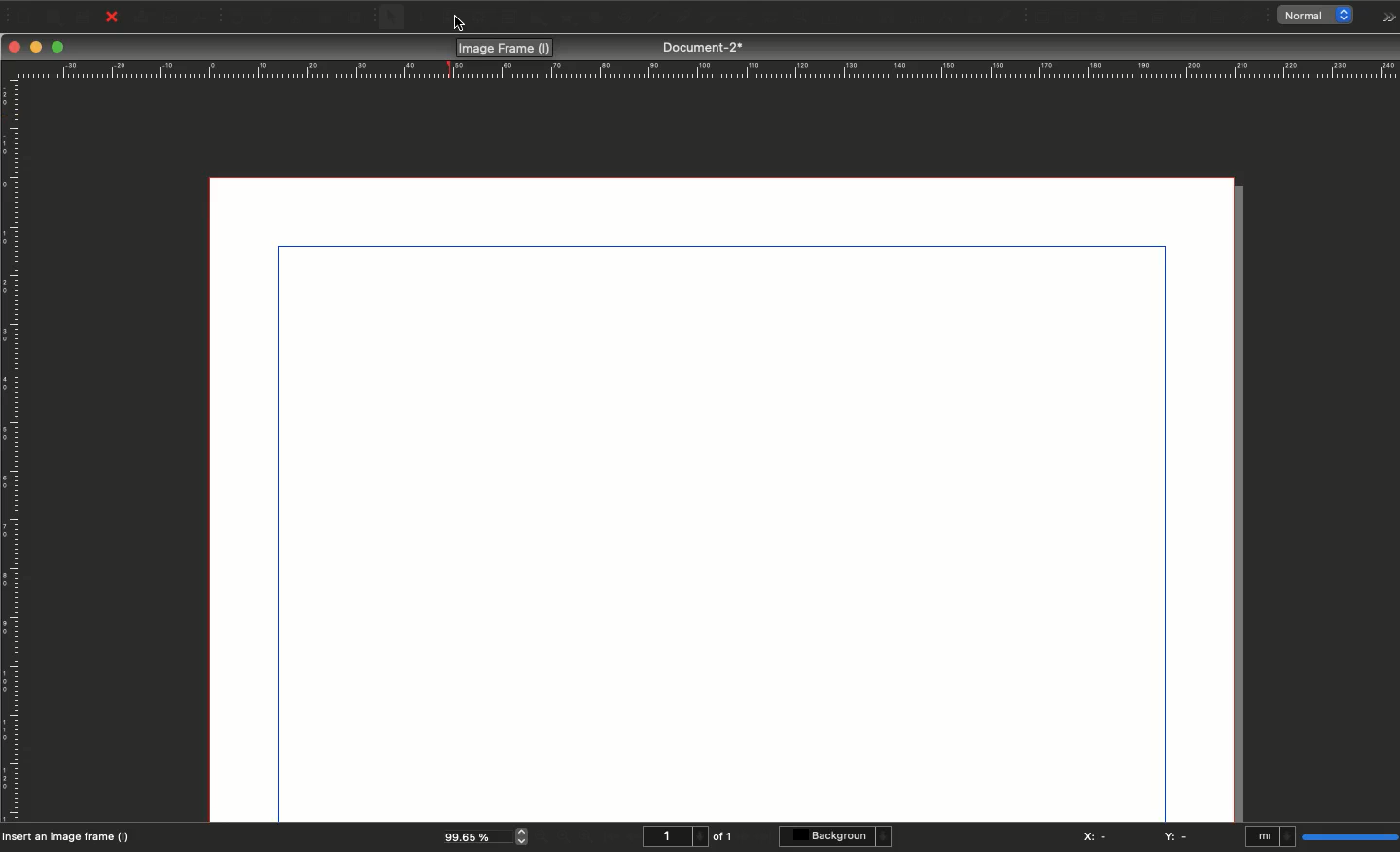 The width and height of the screenshot is (1400, 852). Describe the element at coordinates (202, 17) in the screenshot. I see `Save as PDF` at that location.